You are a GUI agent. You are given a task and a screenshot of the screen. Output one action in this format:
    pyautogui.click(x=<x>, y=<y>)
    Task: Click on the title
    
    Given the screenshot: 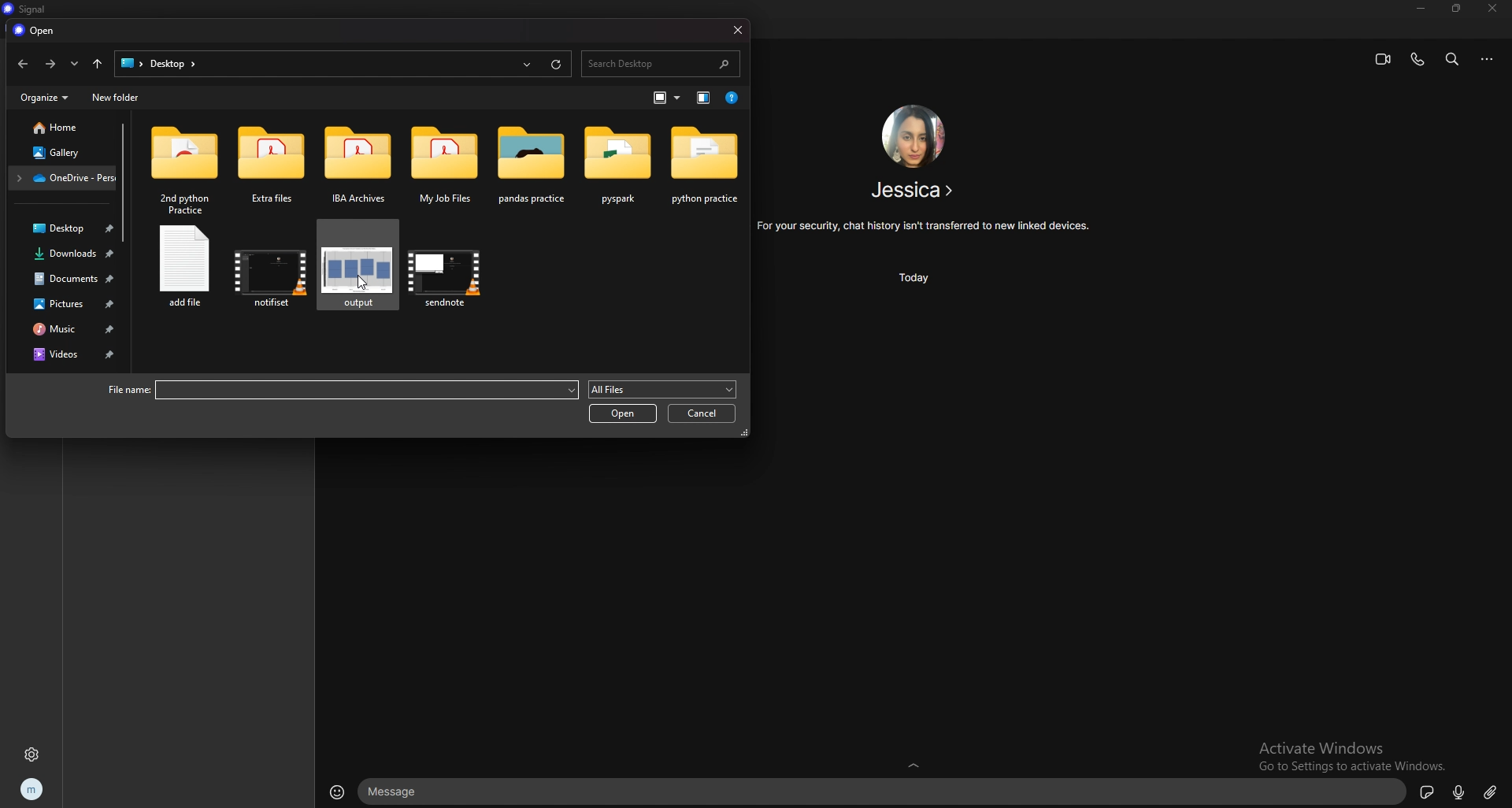 What is the action you would take?
    pyautogui.click(x=25, y=8)
    